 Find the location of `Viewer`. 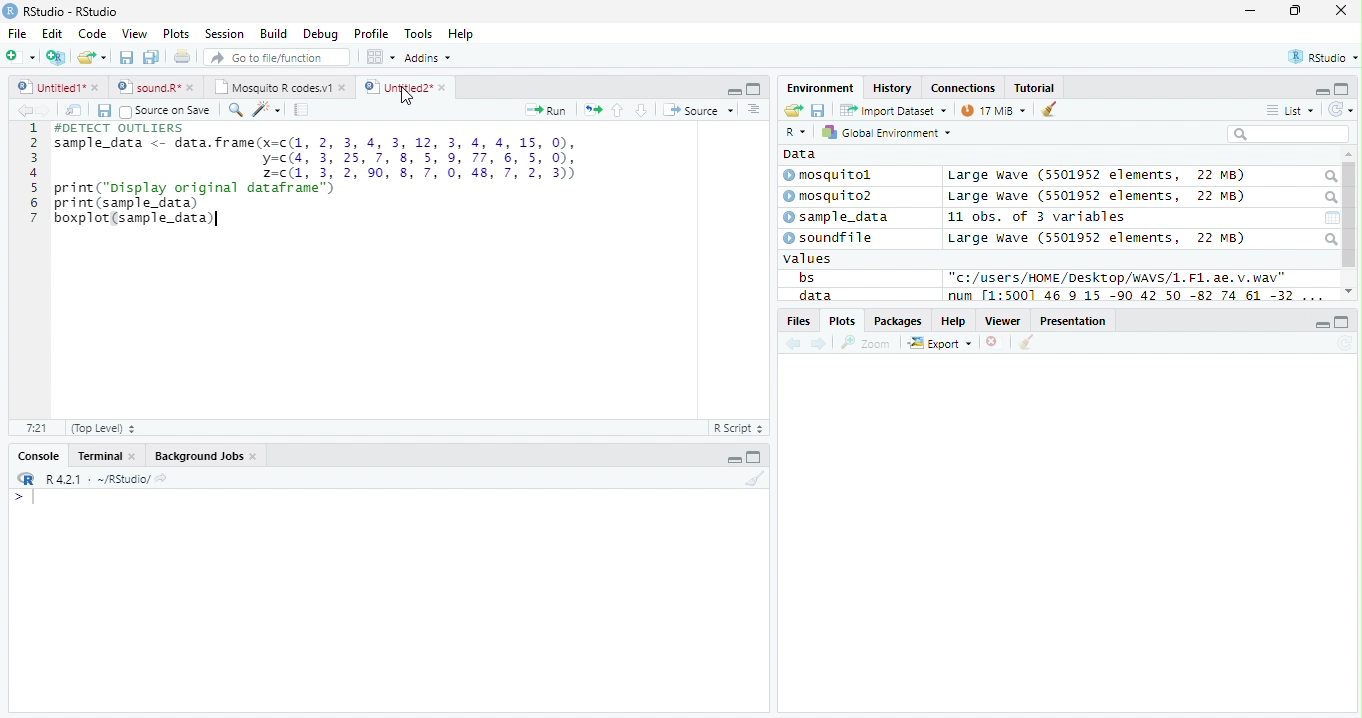

Viewer is located at coordinates (1003, 321).